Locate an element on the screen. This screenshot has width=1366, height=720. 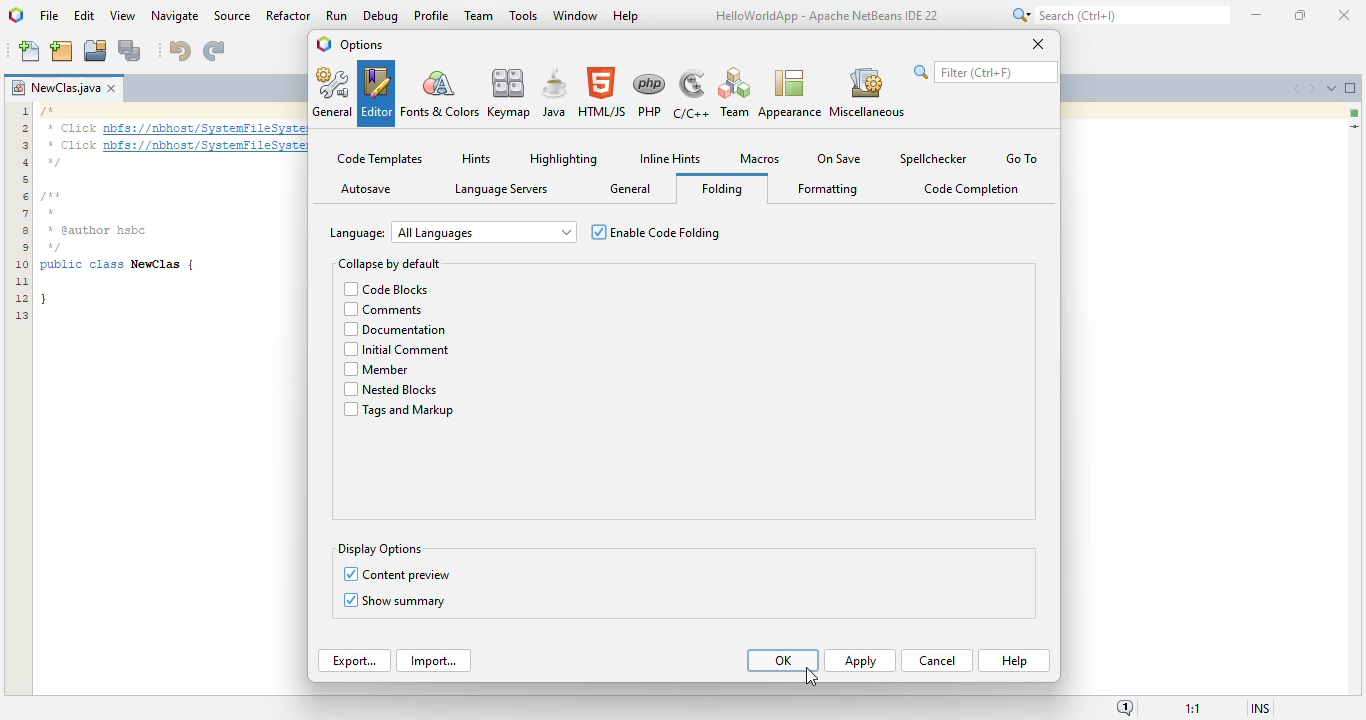
C/C++ is located at coordinates (693, 94).